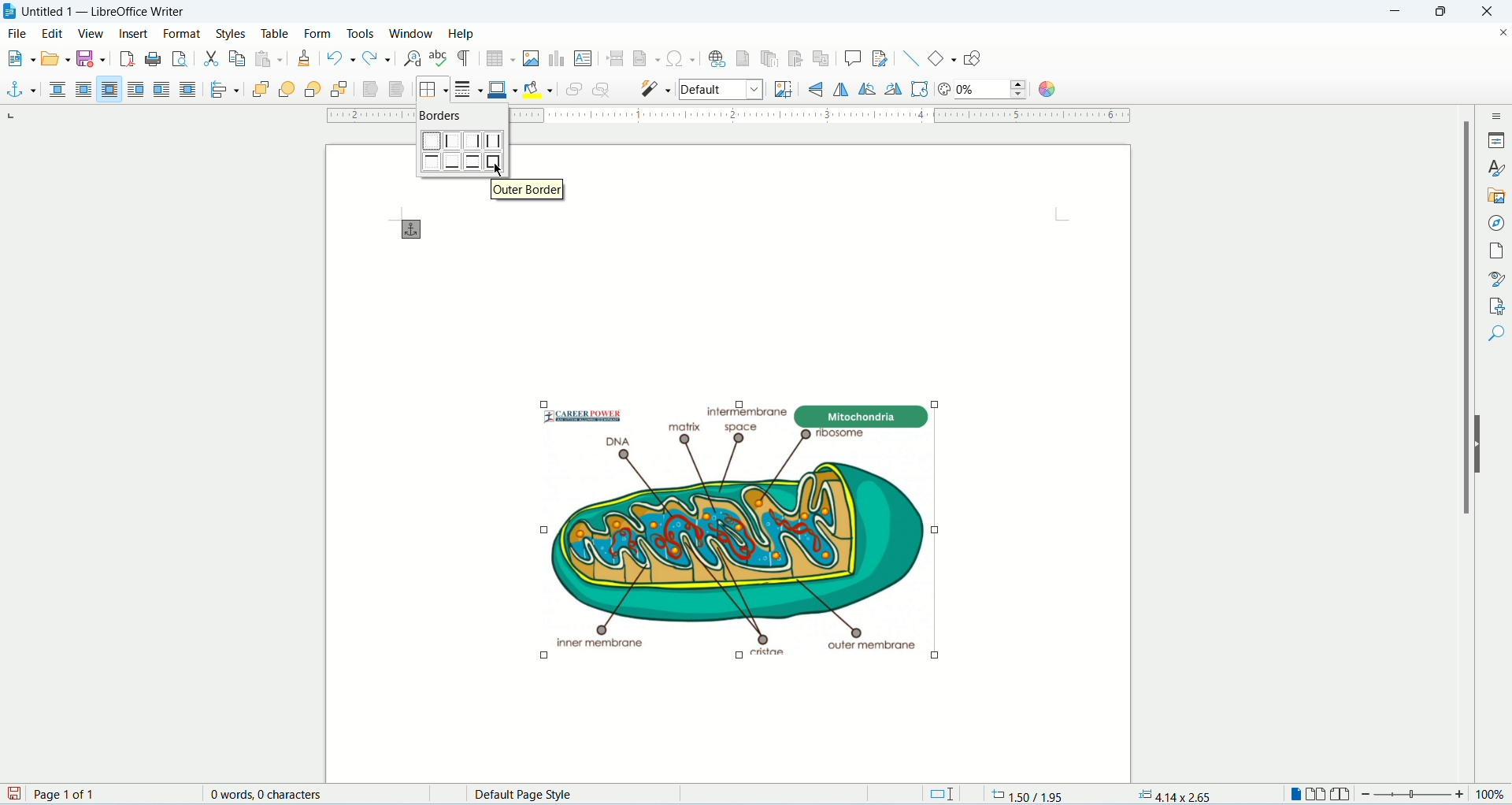 This screenshot has width=1512, height=805. I want to click on application icon, so click(10, 10).